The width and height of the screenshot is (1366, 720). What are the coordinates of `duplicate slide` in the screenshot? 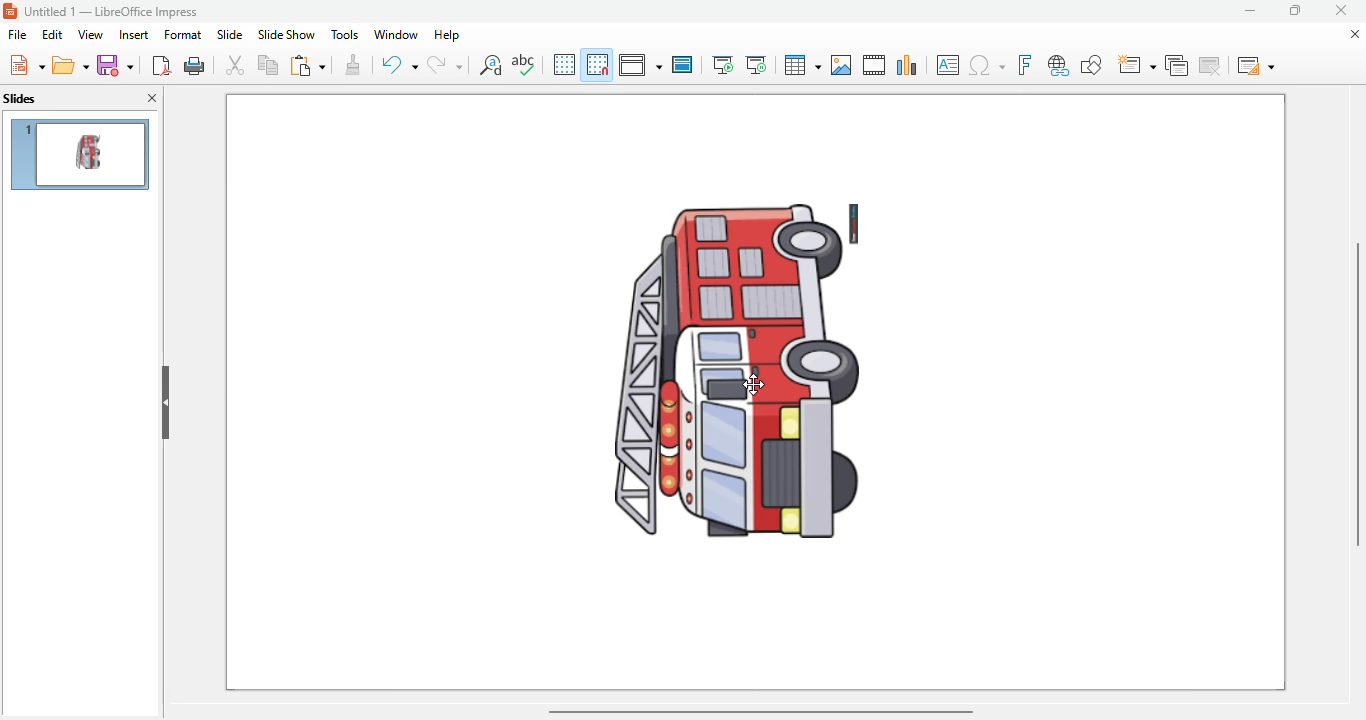 It's located at (1177, 65).